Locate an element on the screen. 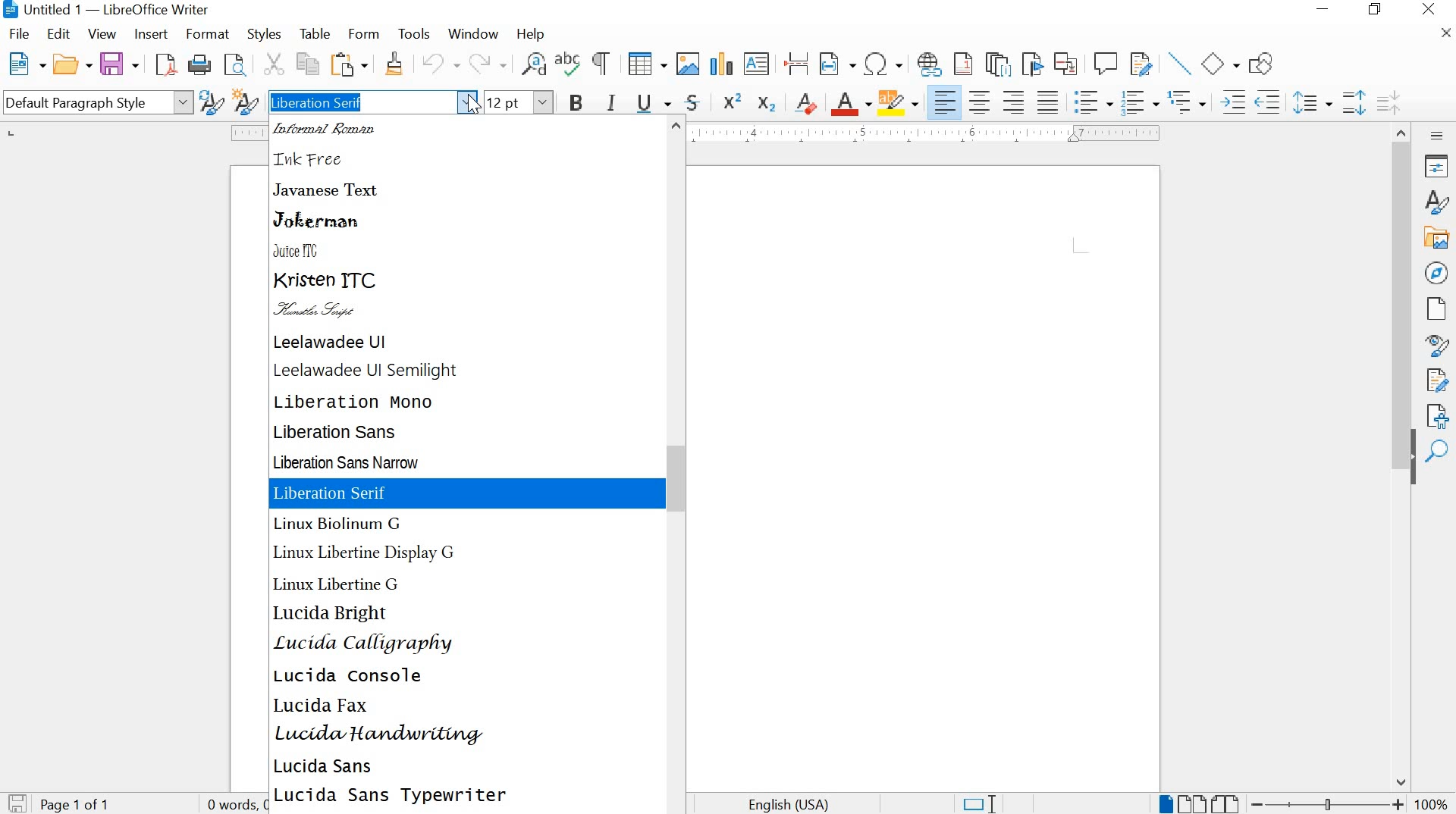  RESTORE DOWN is located at coordinates (1378, 11).